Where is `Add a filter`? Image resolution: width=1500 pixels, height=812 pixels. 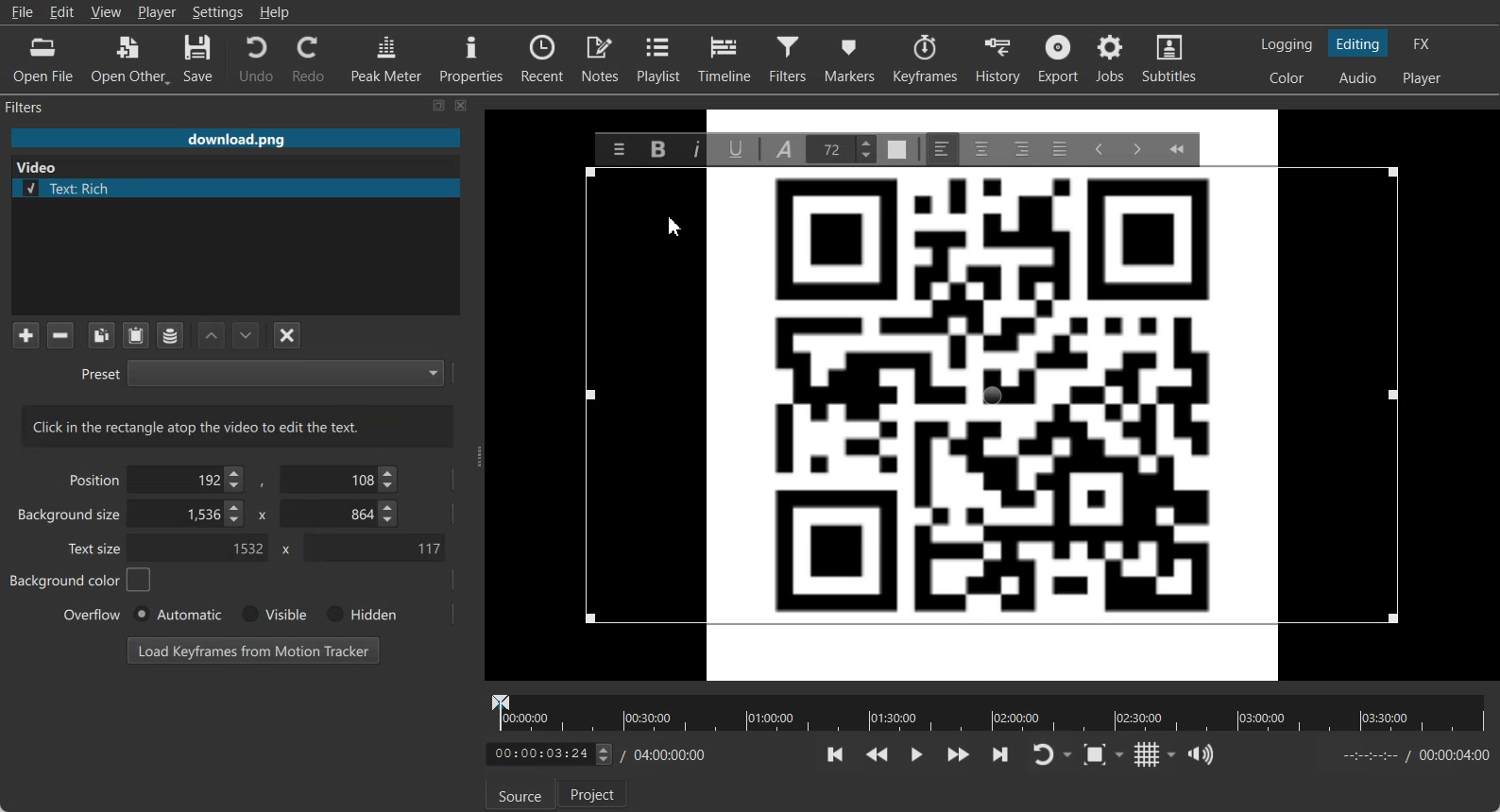 Add a filter is located at coordinates (26, 334).